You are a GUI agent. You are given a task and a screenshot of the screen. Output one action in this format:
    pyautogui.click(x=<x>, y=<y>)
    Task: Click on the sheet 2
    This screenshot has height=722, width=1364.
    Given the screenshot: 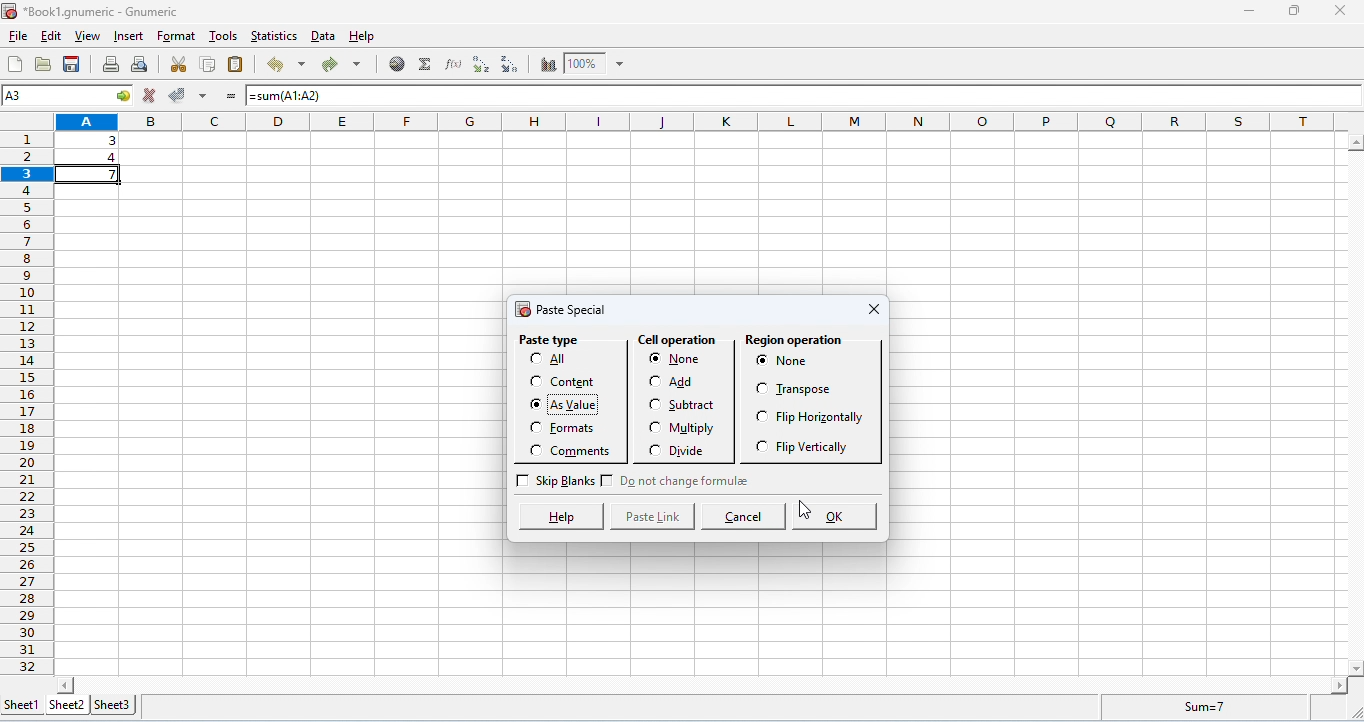 What is the action you would take?
    pyautogui.click(x=66, y=705)
    